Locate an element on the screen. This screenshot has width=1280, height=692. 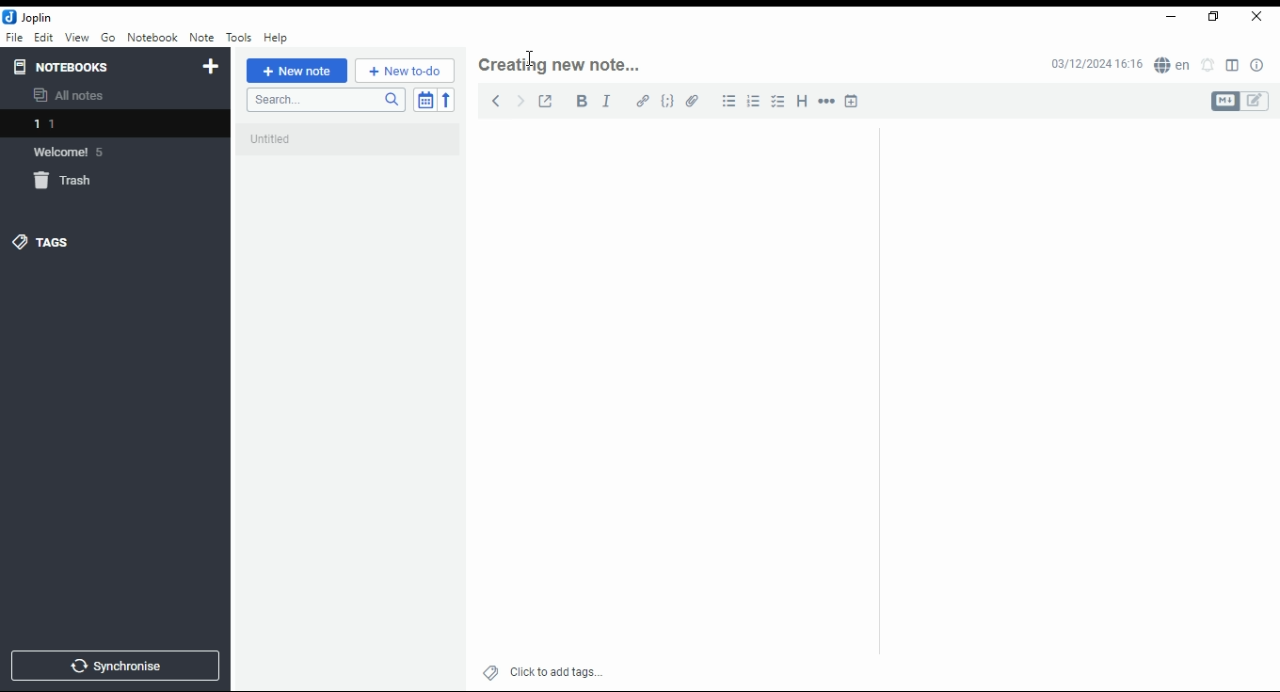
number list is located at coordinates (754, 100).